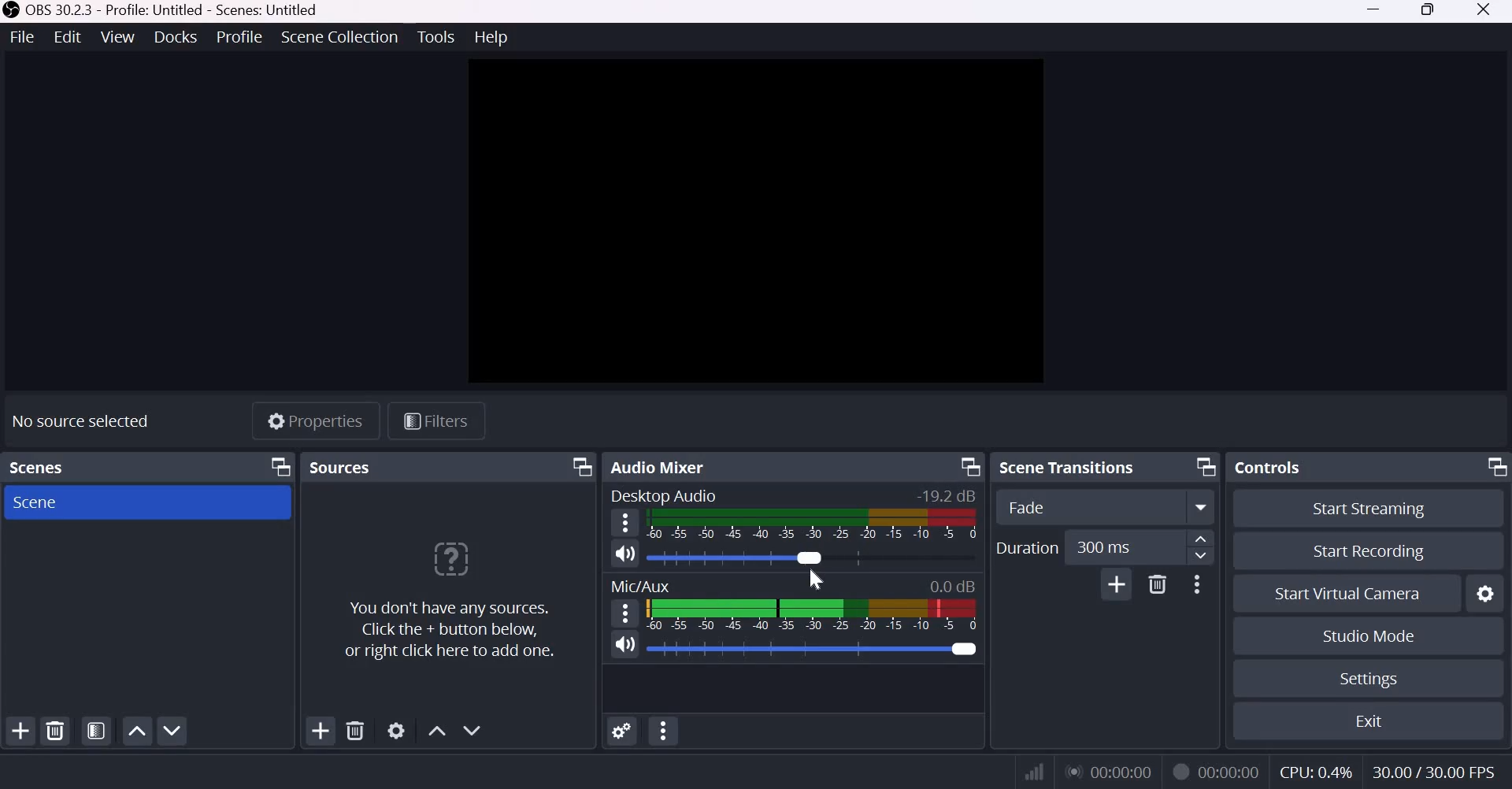  I want to click on OBS 30.2.3 - Profile Untitled - Scenes untitled, so click(166, 9).